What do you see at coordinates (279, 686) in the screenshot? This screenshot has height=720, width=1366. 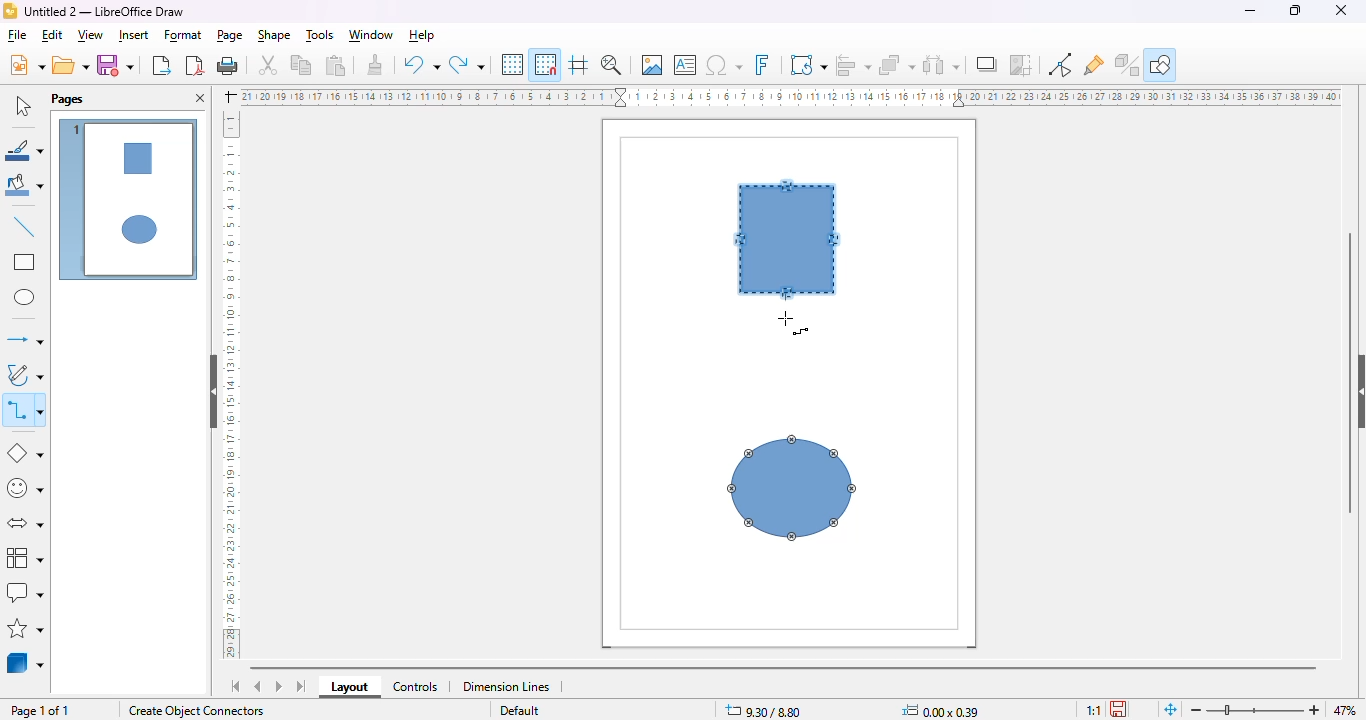 I see `scroll to next sheet` at bounding box center [279, 686].